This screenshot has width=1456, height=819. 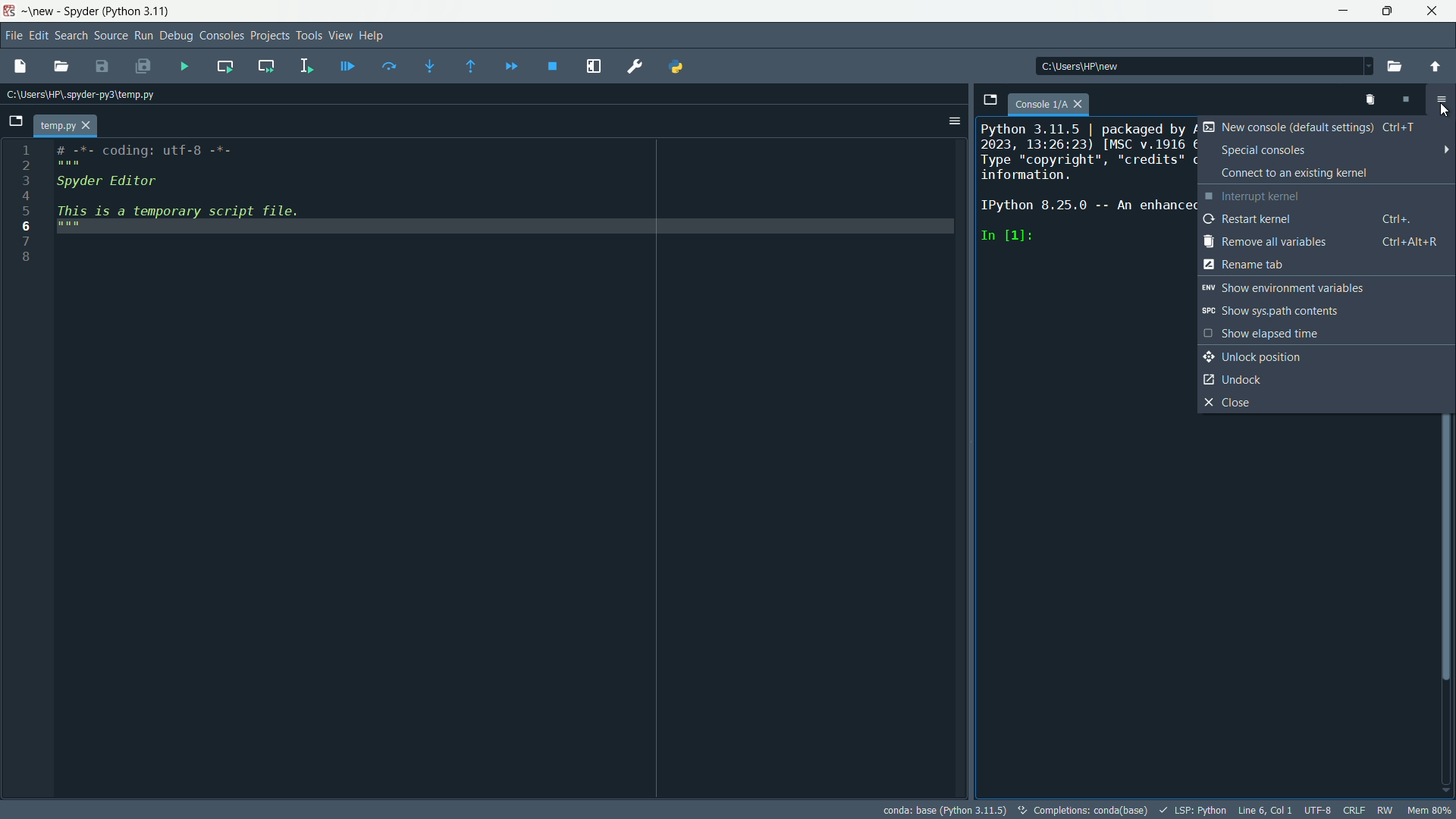 I want to click on Line 5, Col 1, so click(x=1265, y=810).